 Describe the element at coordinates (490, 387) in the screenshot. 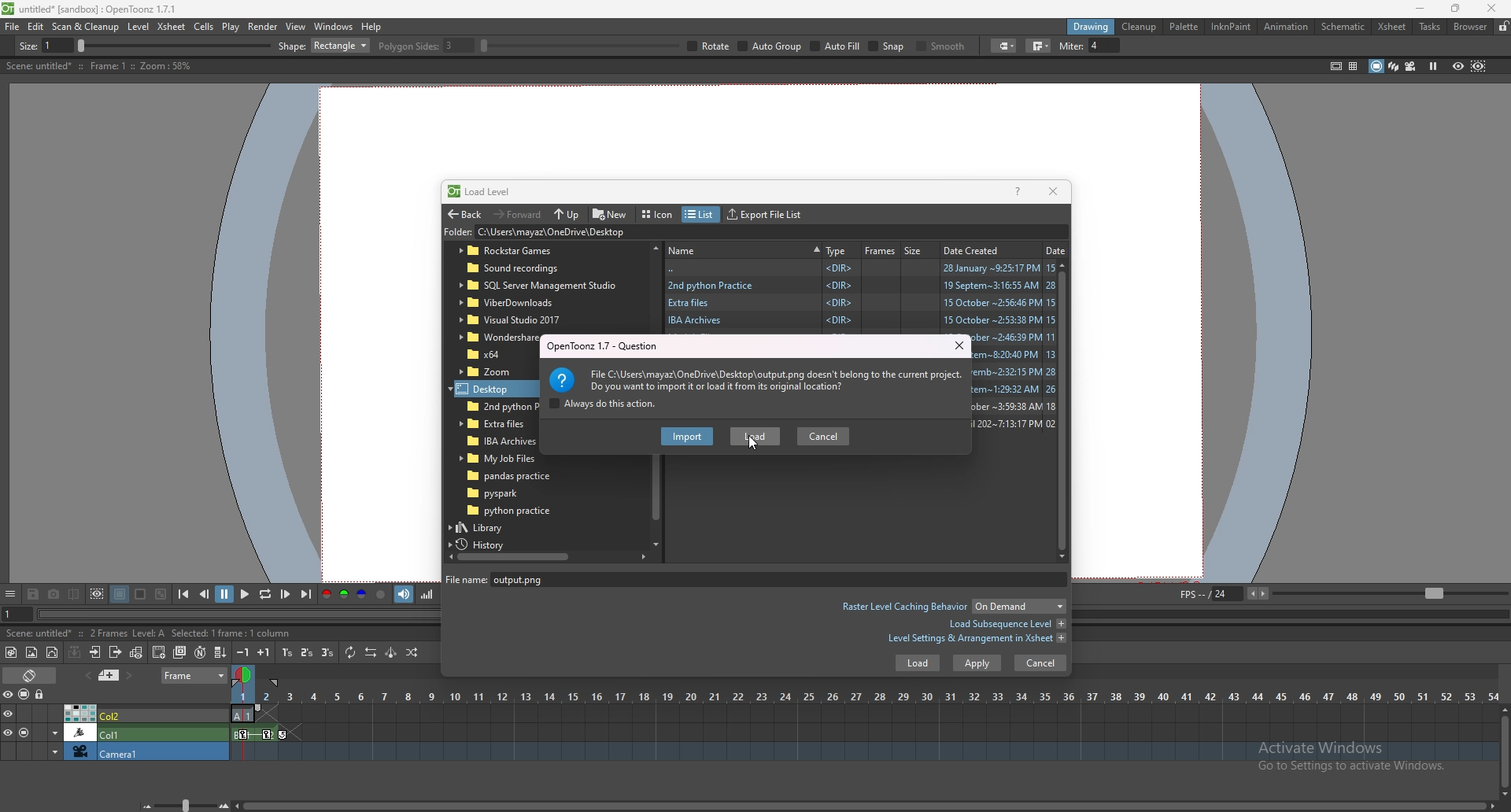

I see `folder` at that location.